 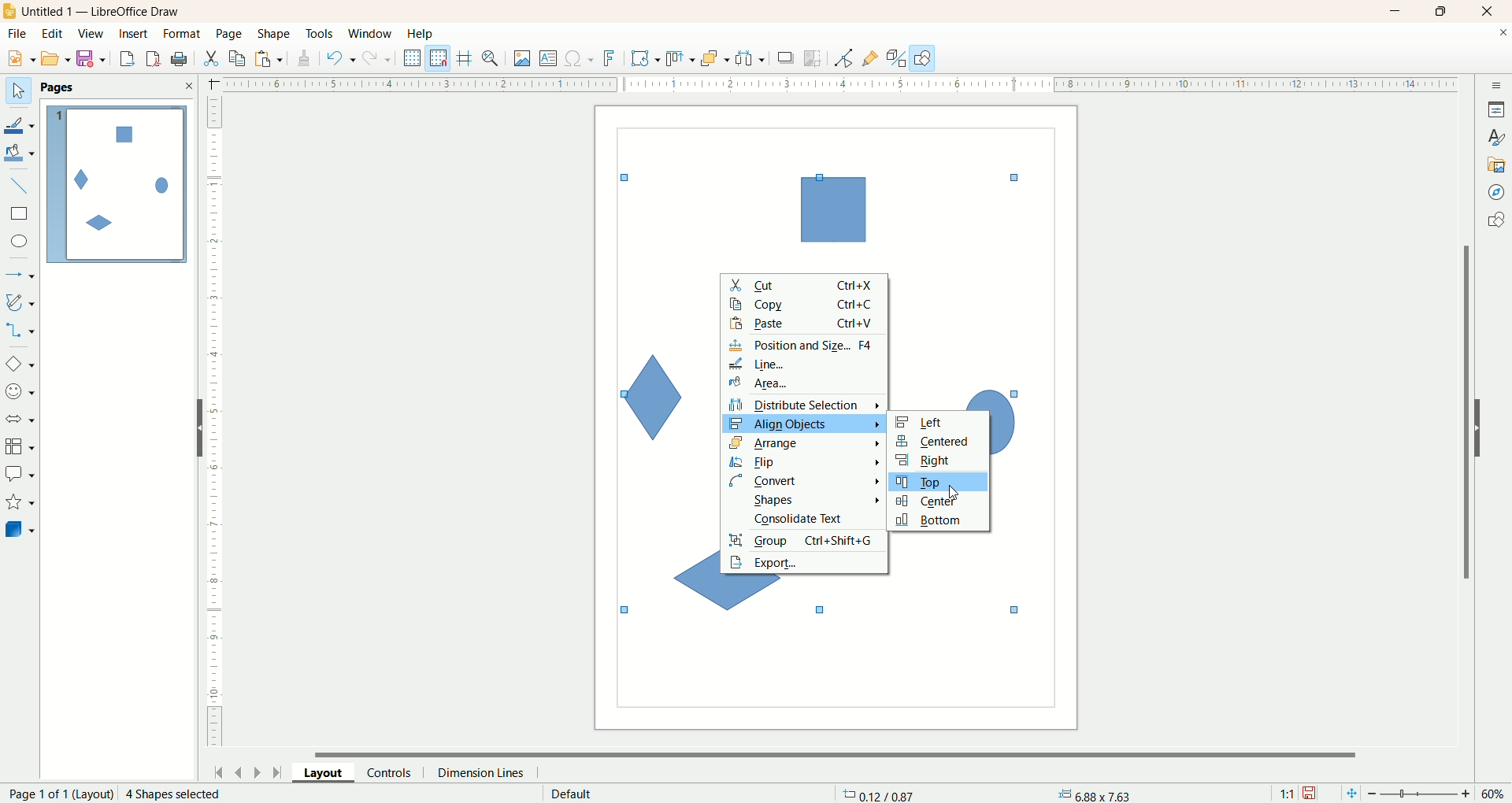 I want to click on export, so click(x=804, y=563).